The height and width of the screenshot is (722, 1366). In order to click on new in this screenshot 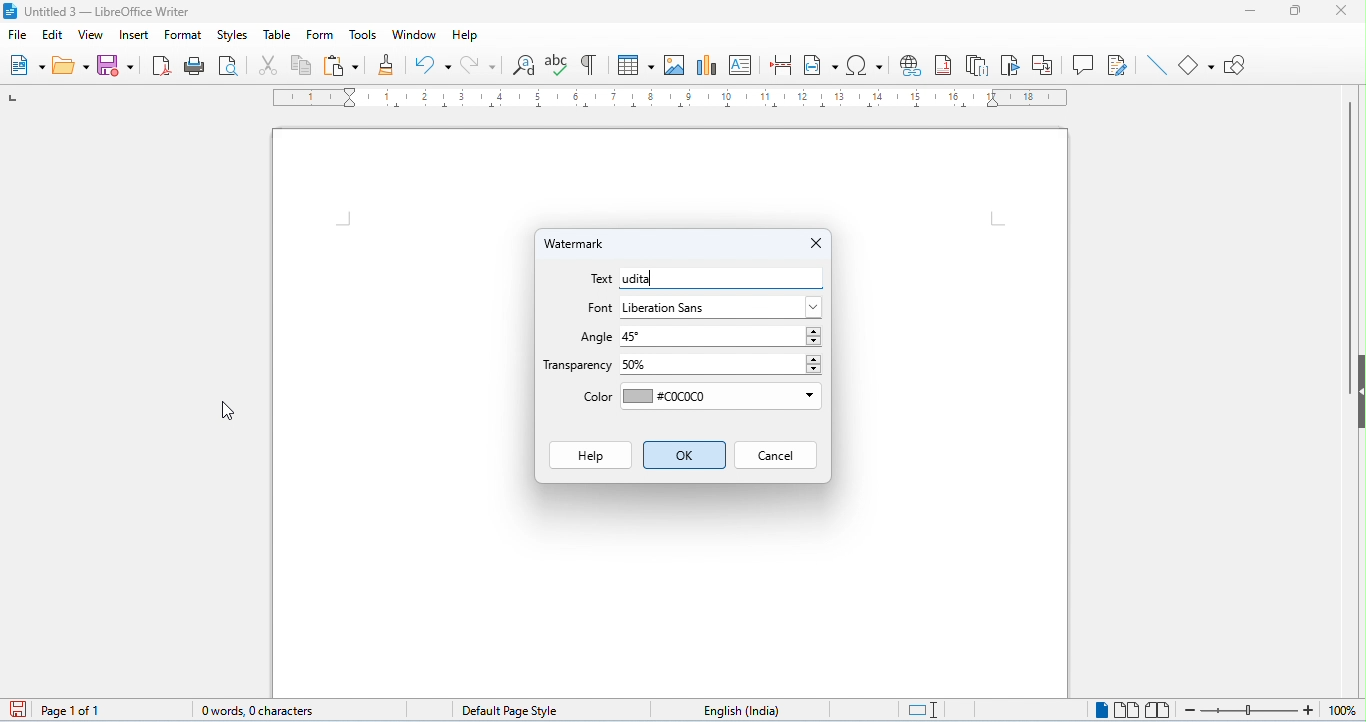, I will do `click(26, 65)`.